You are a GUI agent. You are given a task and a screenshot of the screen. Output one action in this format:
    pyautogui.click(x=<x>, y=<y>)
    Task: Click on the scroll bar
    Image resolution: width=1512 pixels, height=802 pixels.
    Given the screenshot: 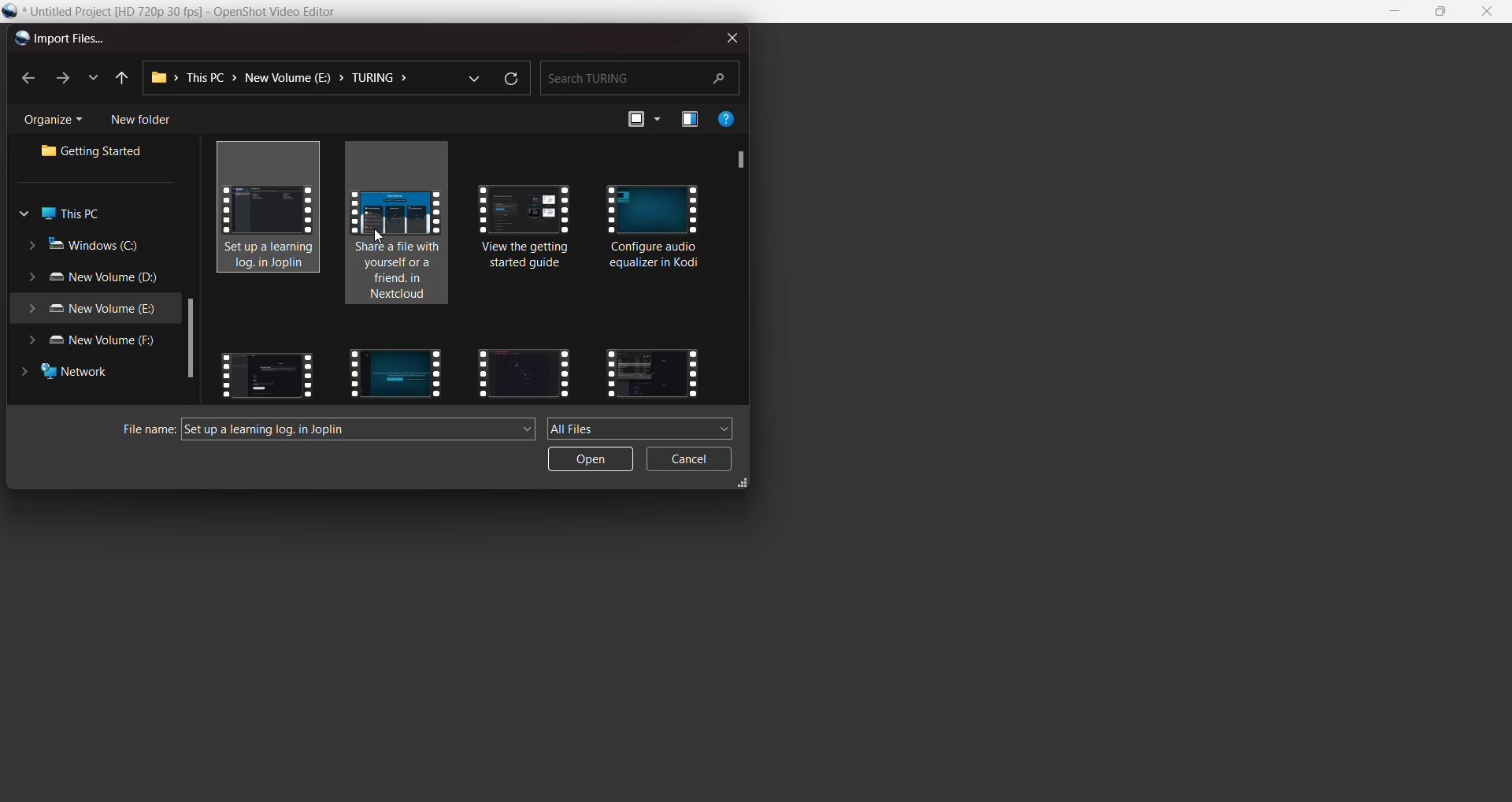 What is the action you would take?
    pyautogui.click(x=190, y=340)
    